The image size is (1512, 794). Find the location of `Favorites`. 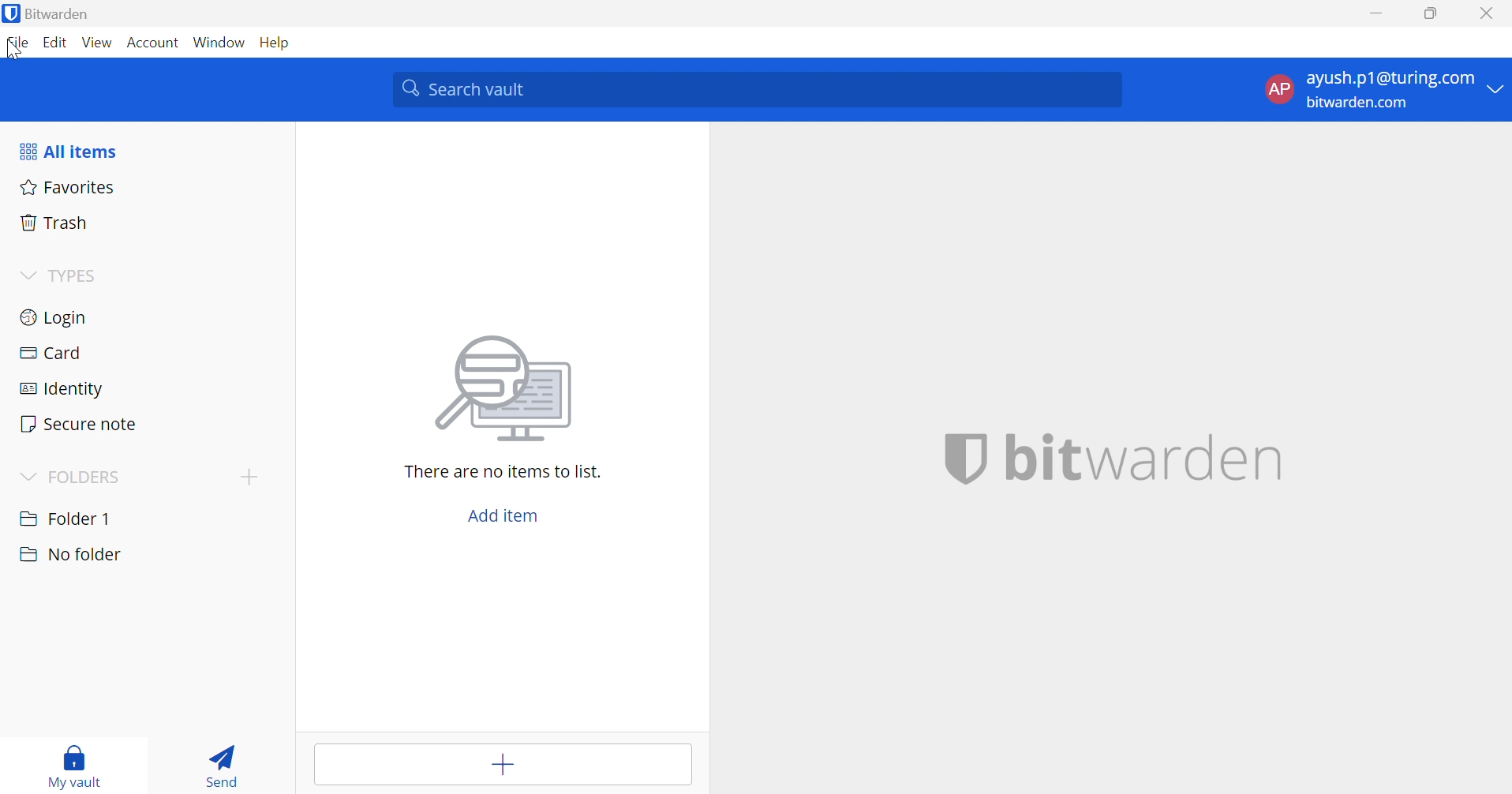

Favorites is located at coordinates (68, 186).